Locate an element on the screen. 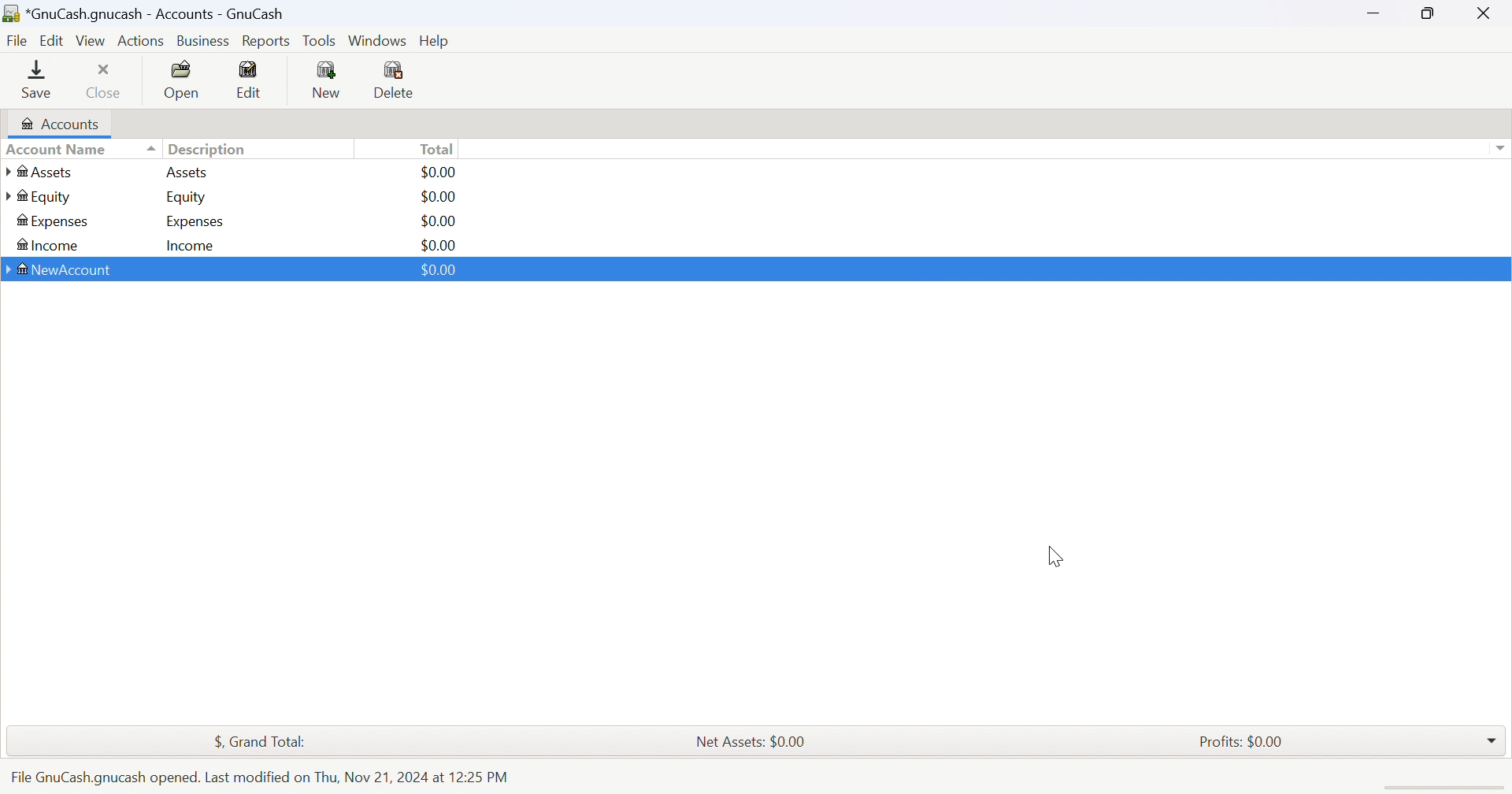 The height and width of the screenshot is (794, 1512). Drop Down is located at coordinates (1499, 148).